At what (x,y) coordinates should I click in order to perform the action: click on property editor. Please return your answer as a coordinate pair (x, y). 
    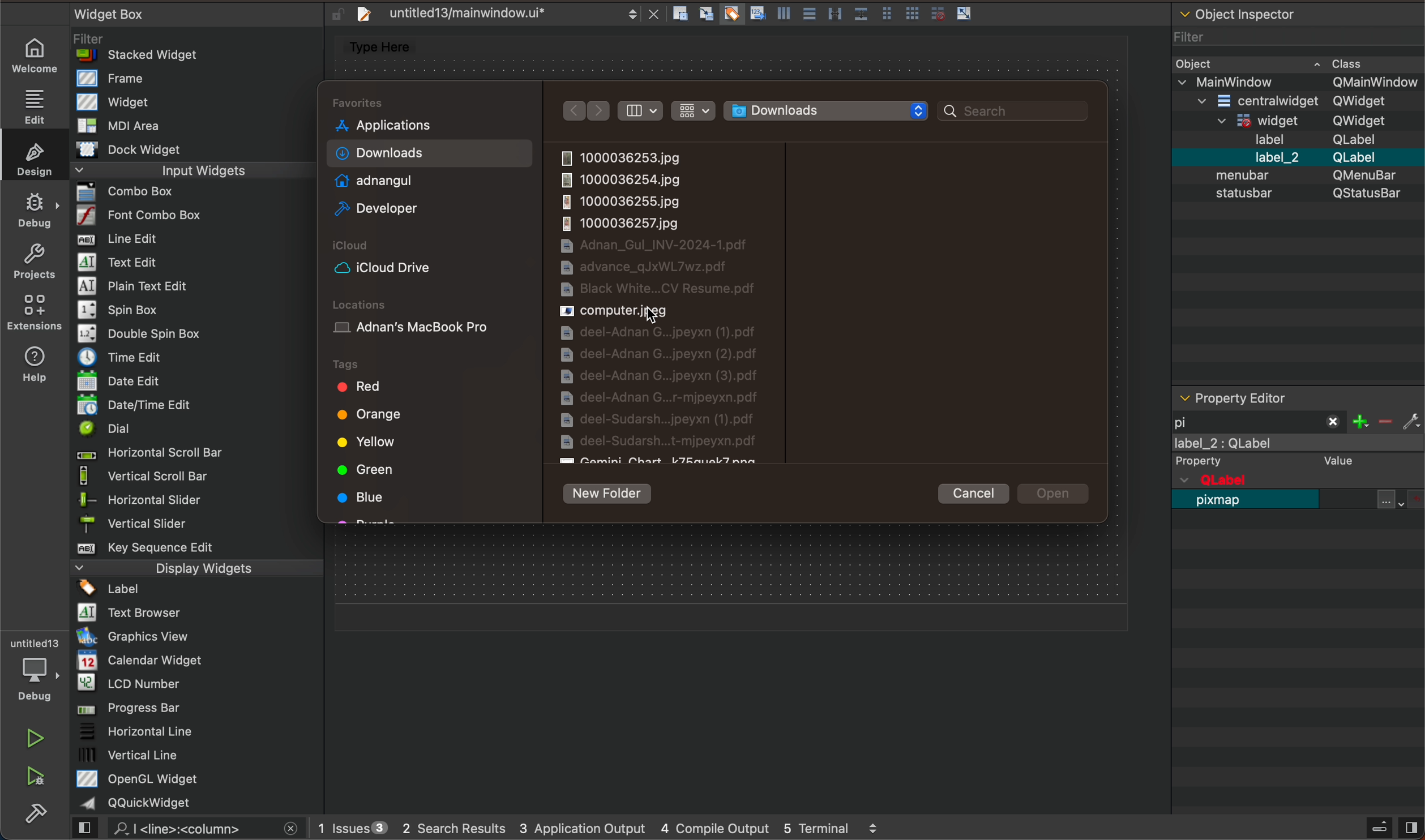
    Looking at the image, I should click on (1276, 397).